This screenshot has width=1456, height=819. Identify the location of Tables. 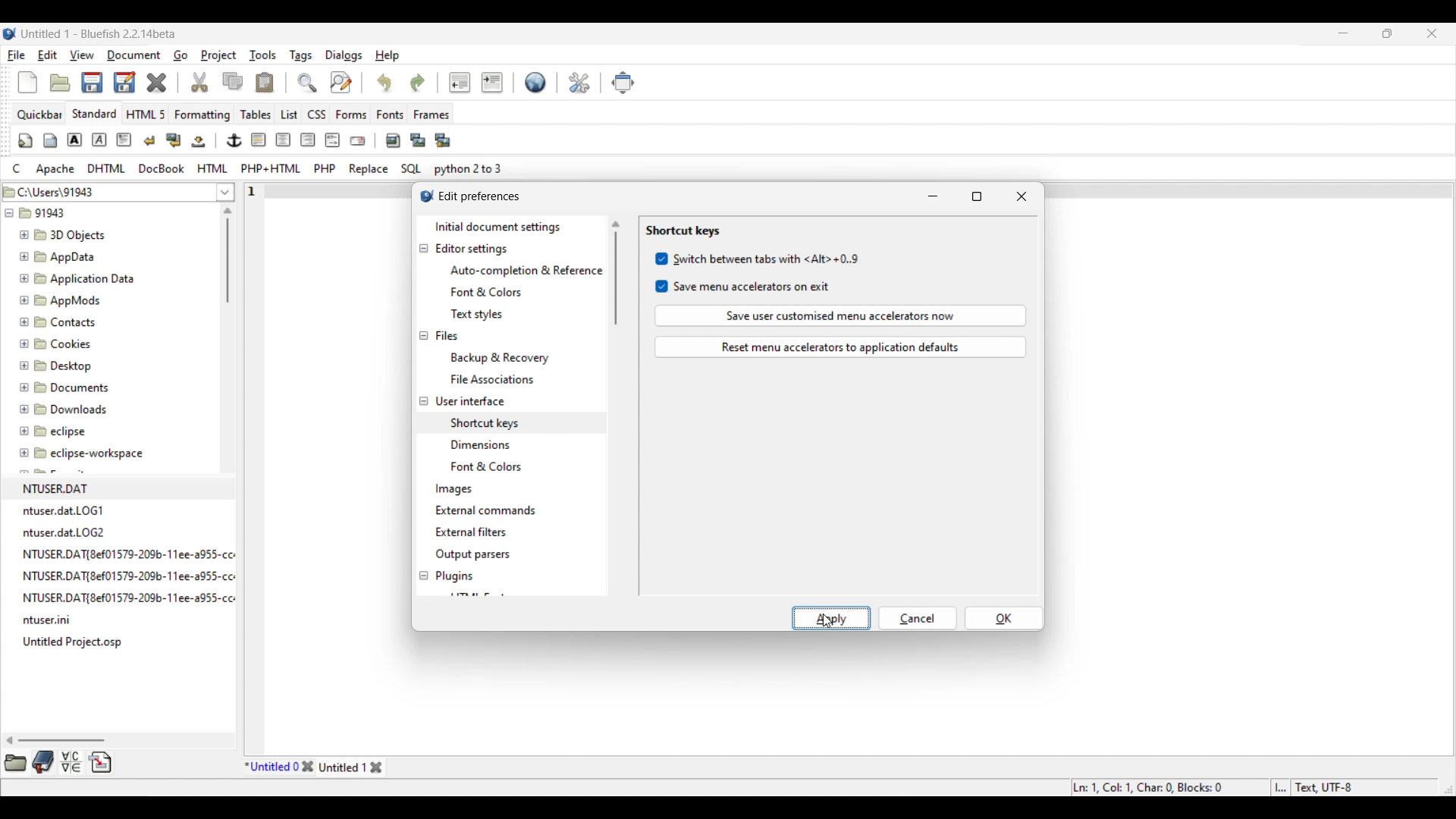
(256, 114).